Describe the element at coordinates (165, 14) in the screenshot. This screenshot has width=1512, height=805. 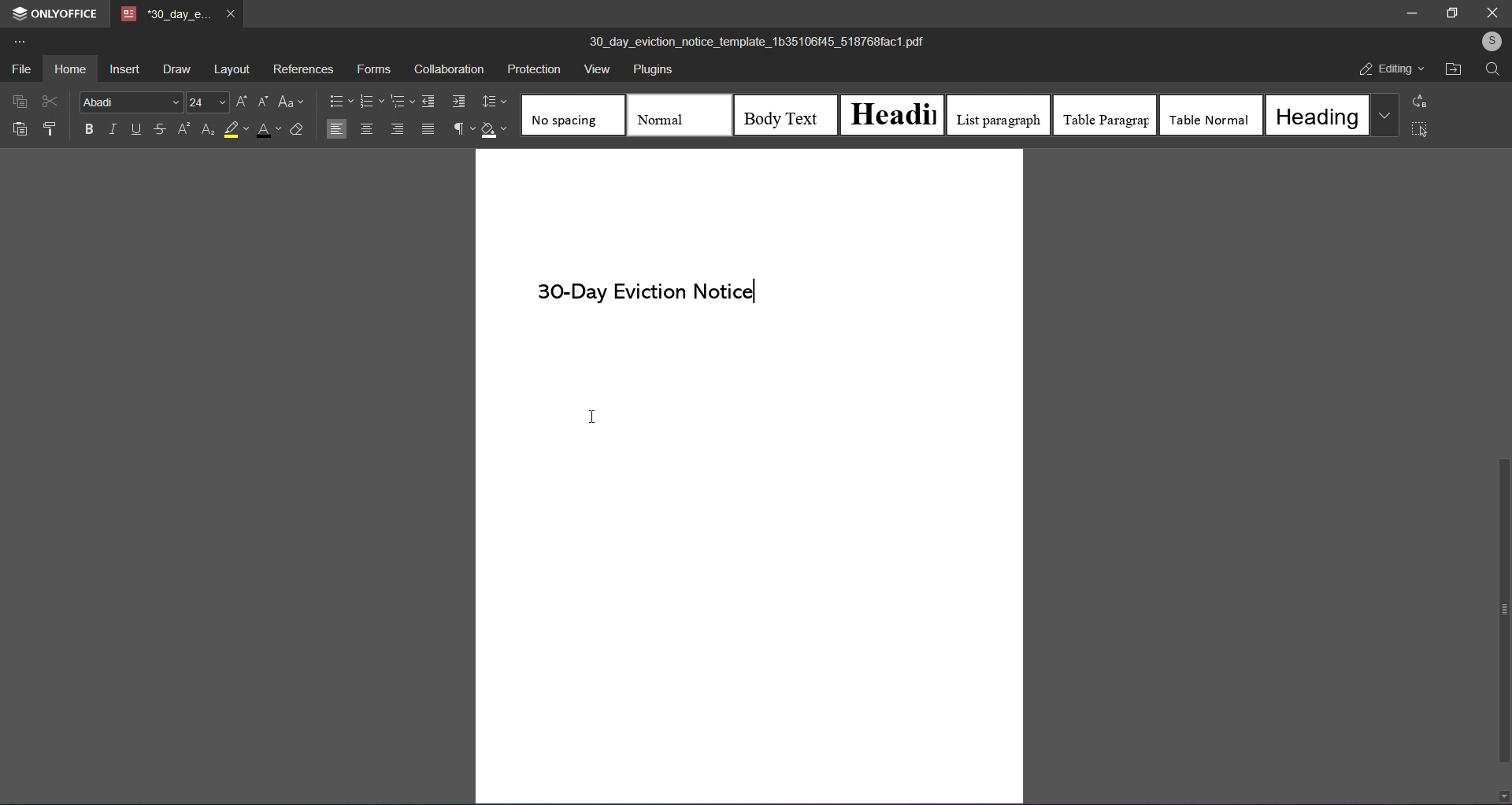
I see `tab name` at that location.